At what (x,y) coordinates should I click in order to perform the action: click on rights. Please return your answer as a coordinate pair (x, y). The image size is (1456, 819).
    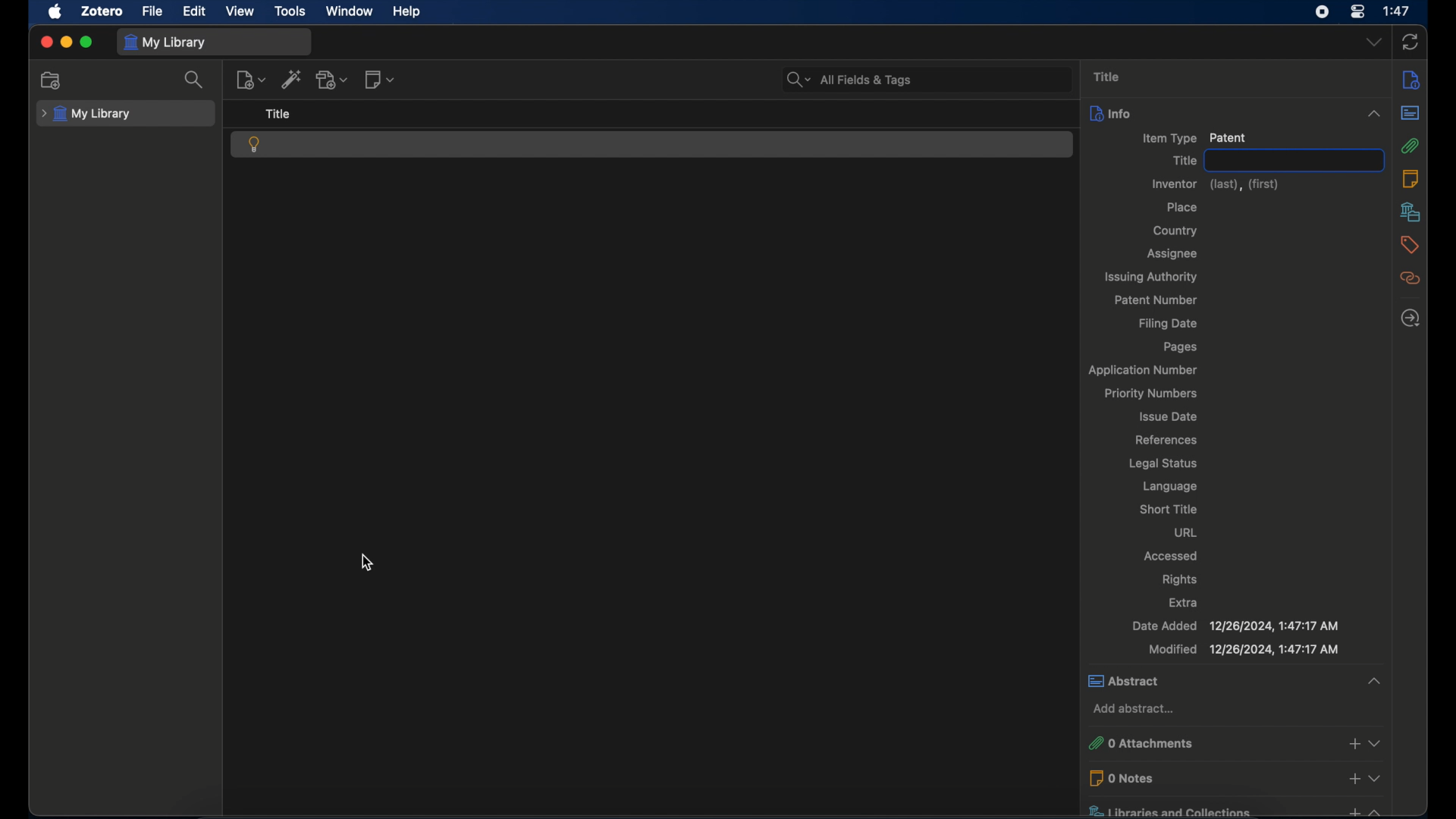
    Looking at the image, I should click on (1180, 579).